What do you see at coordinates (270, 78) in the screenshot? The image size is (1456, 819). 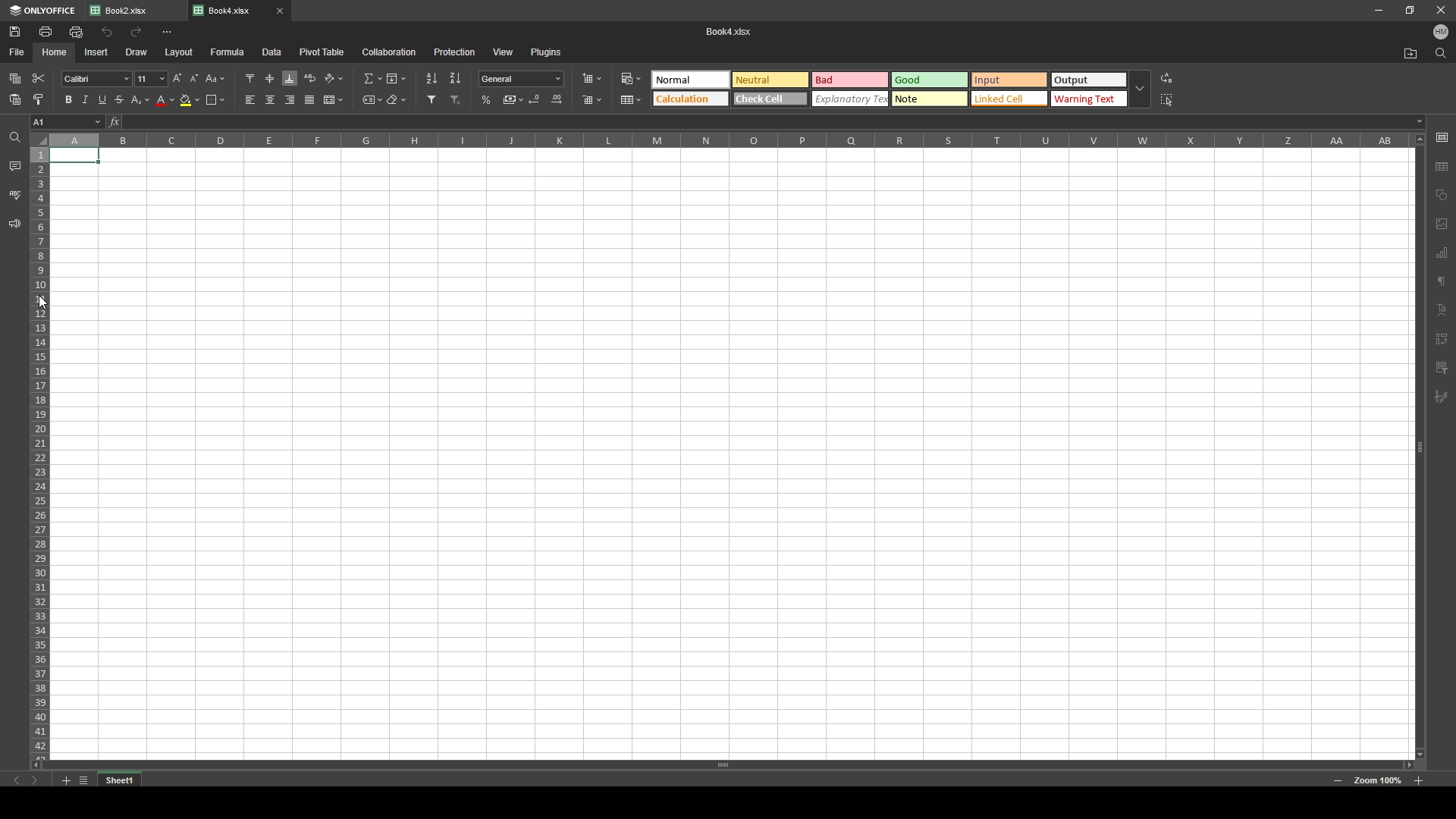 I see `align middle` at bounding box center [270, 78].